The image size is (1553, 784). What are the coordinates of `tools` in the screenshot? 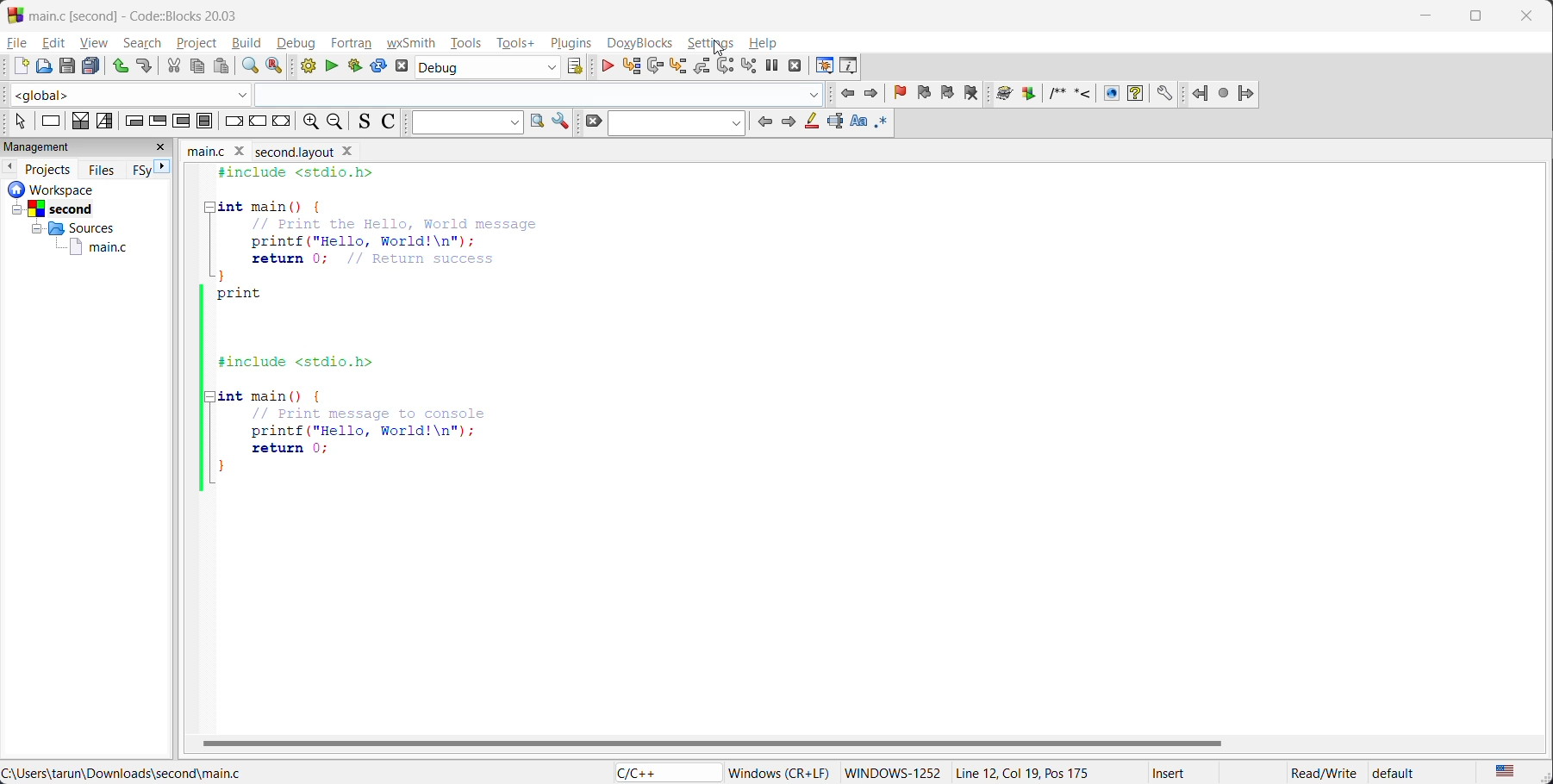 It's located at (464, 46).